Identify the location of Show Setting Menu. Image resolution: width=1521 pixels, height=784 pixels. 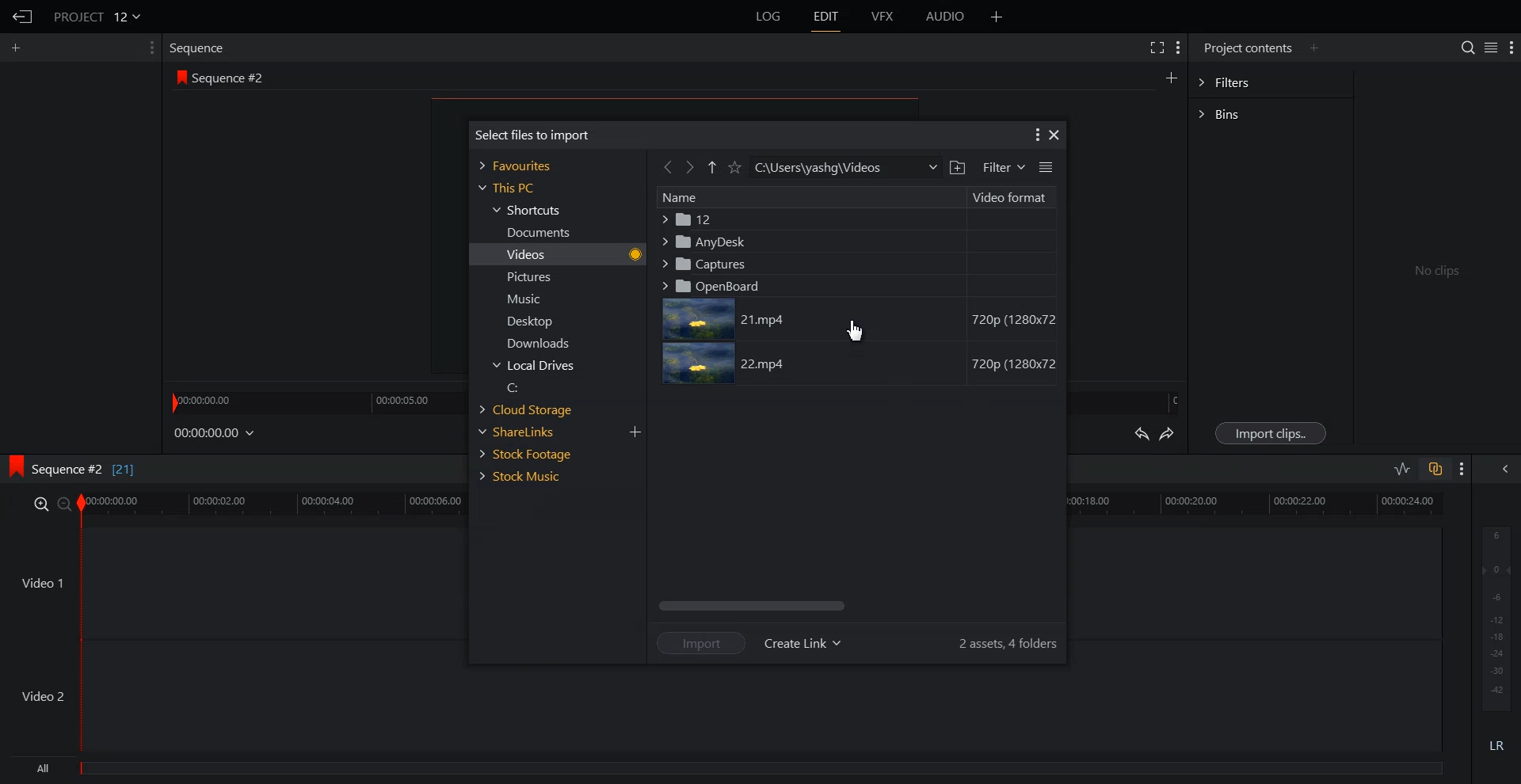
(1462, 470).